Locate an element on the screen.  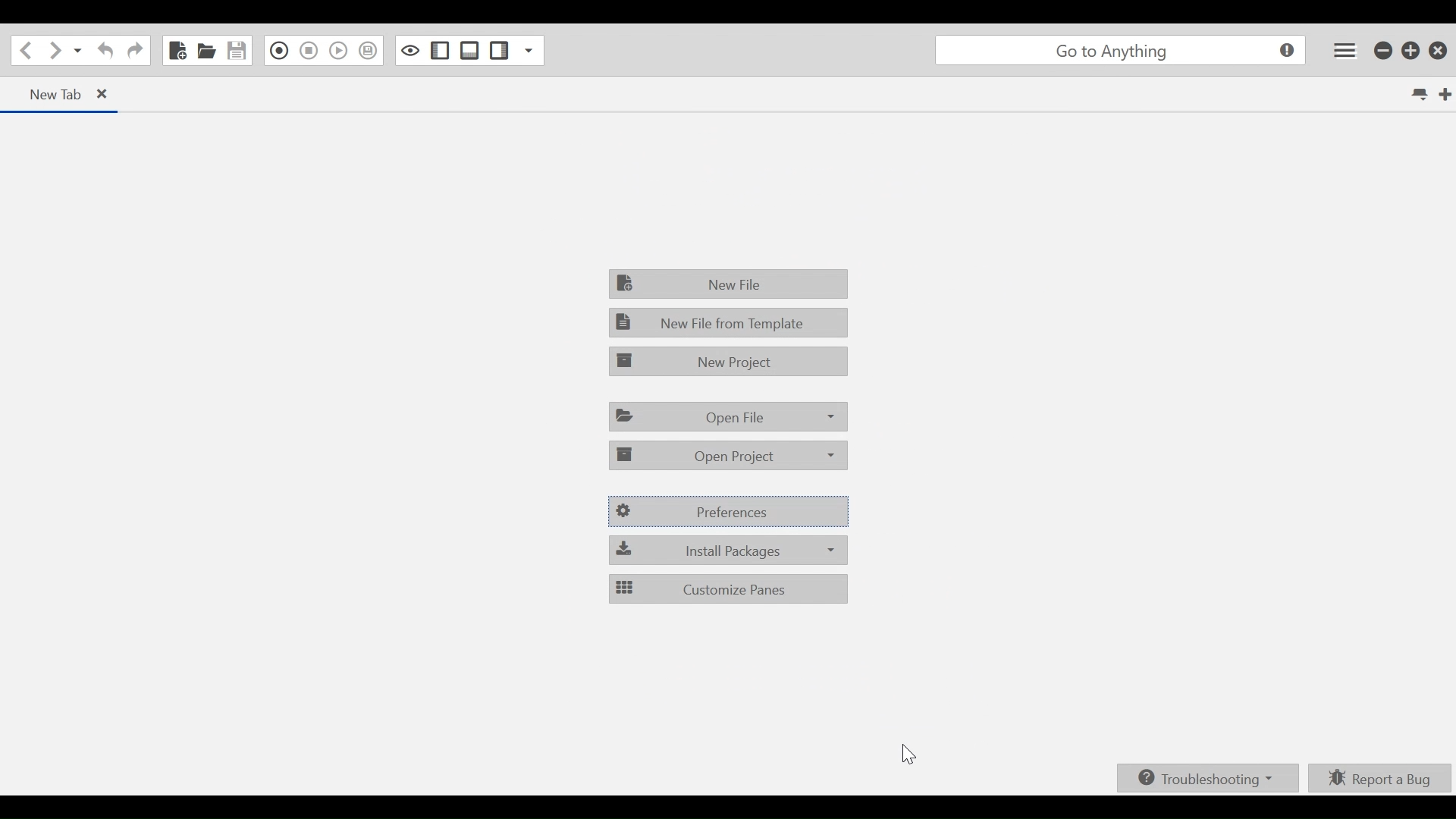
close is located at coordinates (1441, 50).